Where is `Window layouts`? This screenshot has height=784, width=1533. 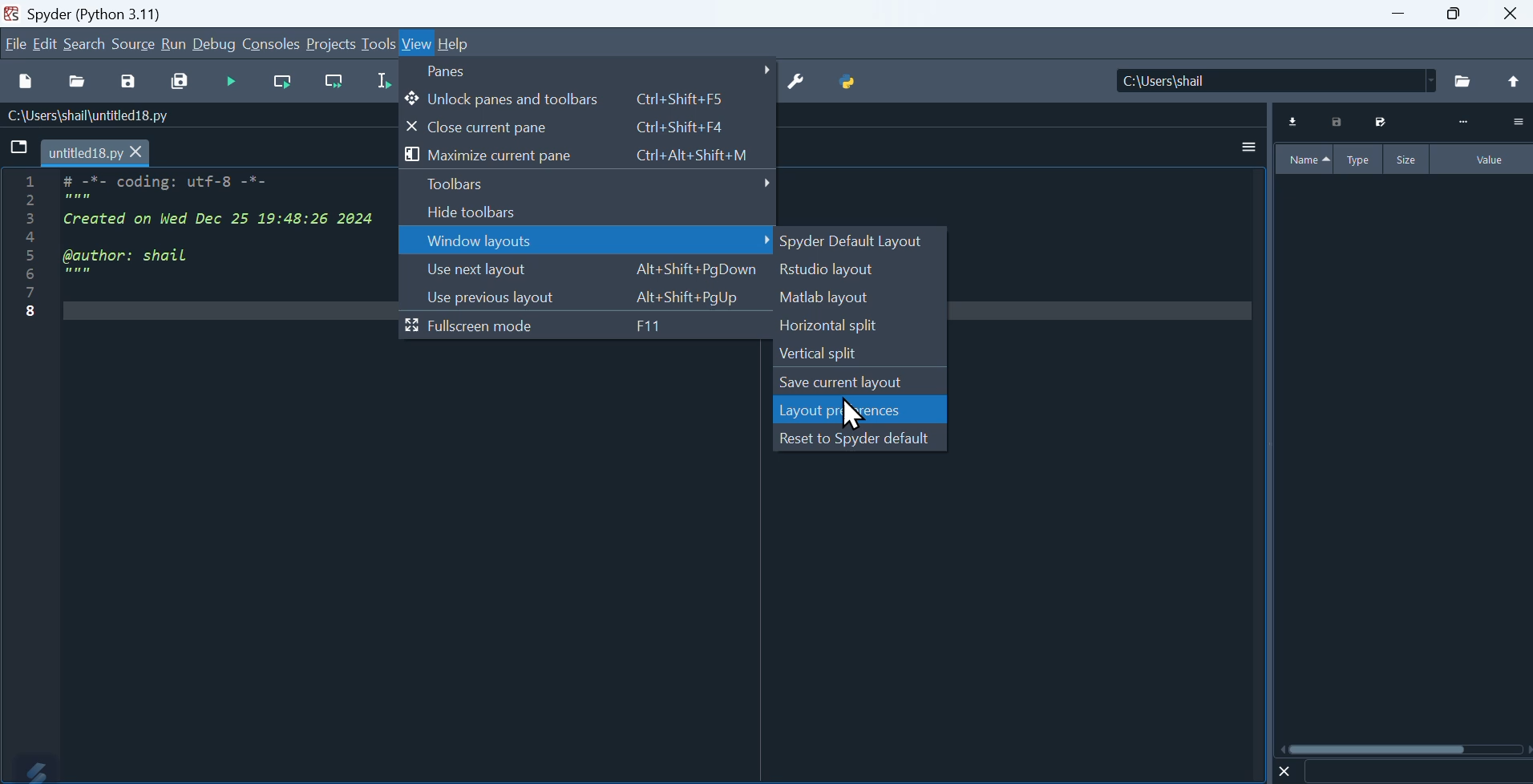 Window layouts is located at coordinates (588, 240).